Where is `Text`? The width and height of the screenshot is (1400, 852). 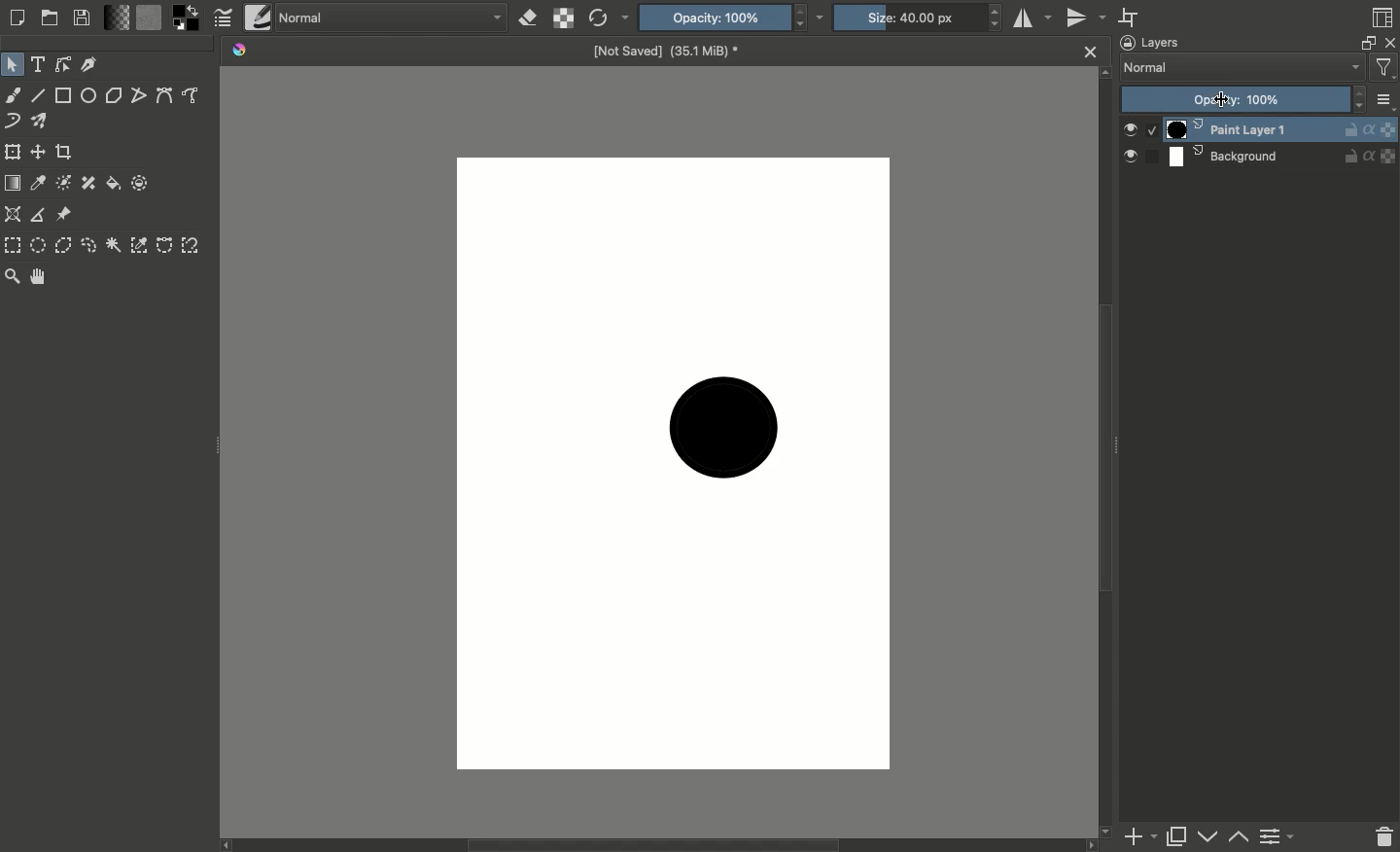
Text is located at coordinates (39, 63).